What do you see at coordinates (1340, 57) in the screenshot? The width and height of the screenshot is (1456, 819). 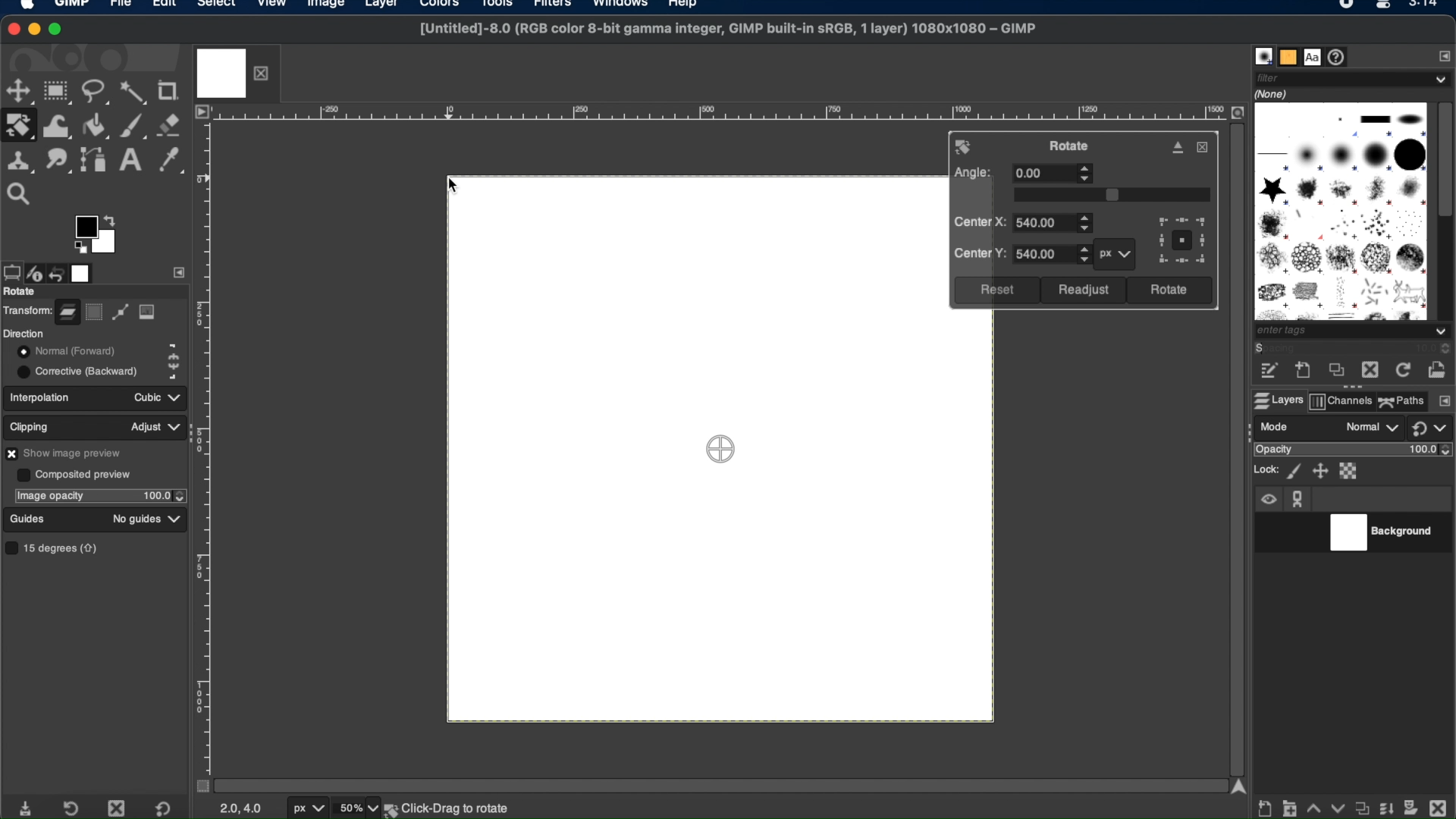 I see `document history` at bounding box center [1340, 57].